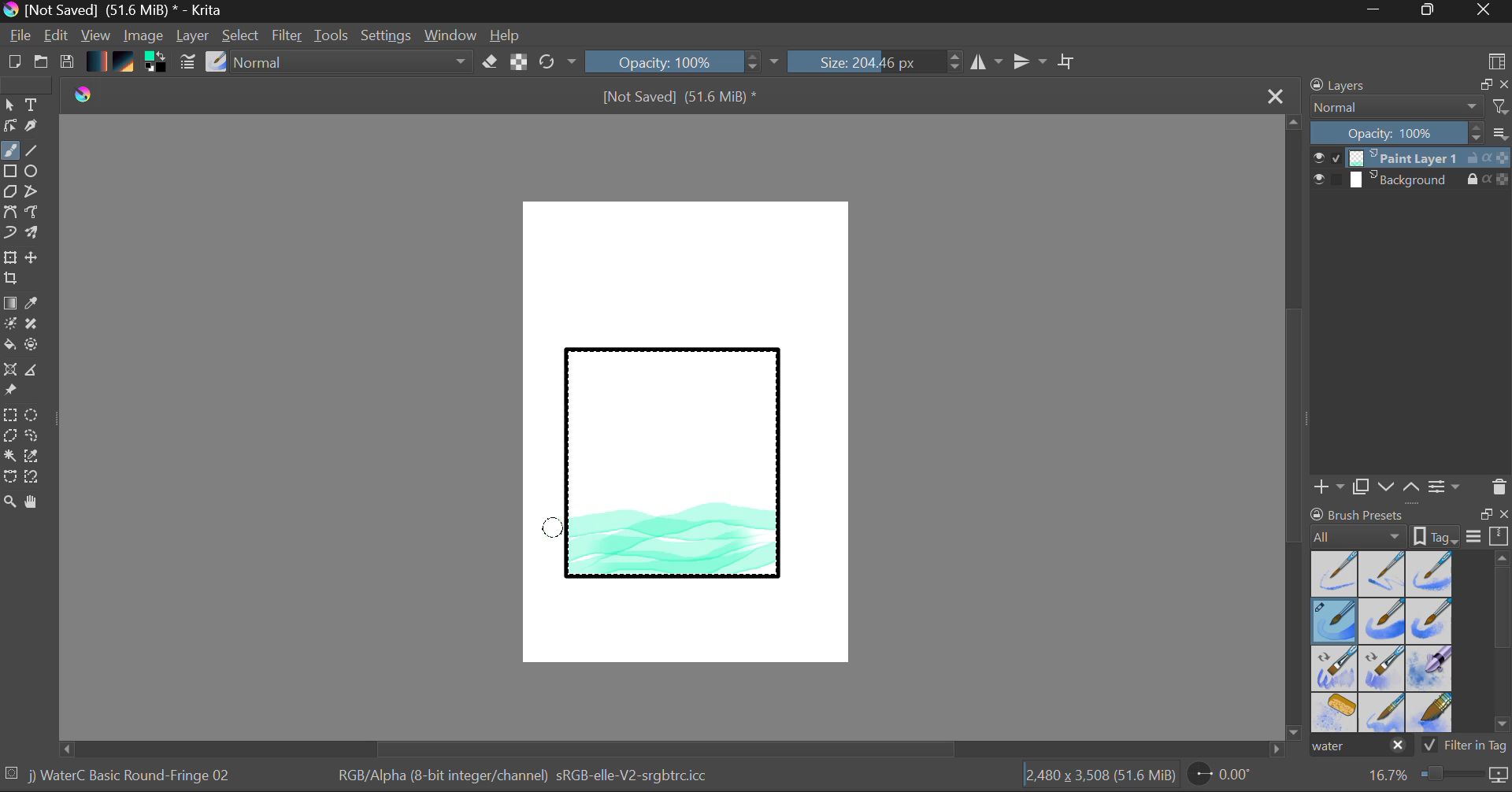 The height and width of the screenshot is (792, 1512). Describe the element at coordinates (1379, 11) in the screenshot. I see `Restore Down` at that location.